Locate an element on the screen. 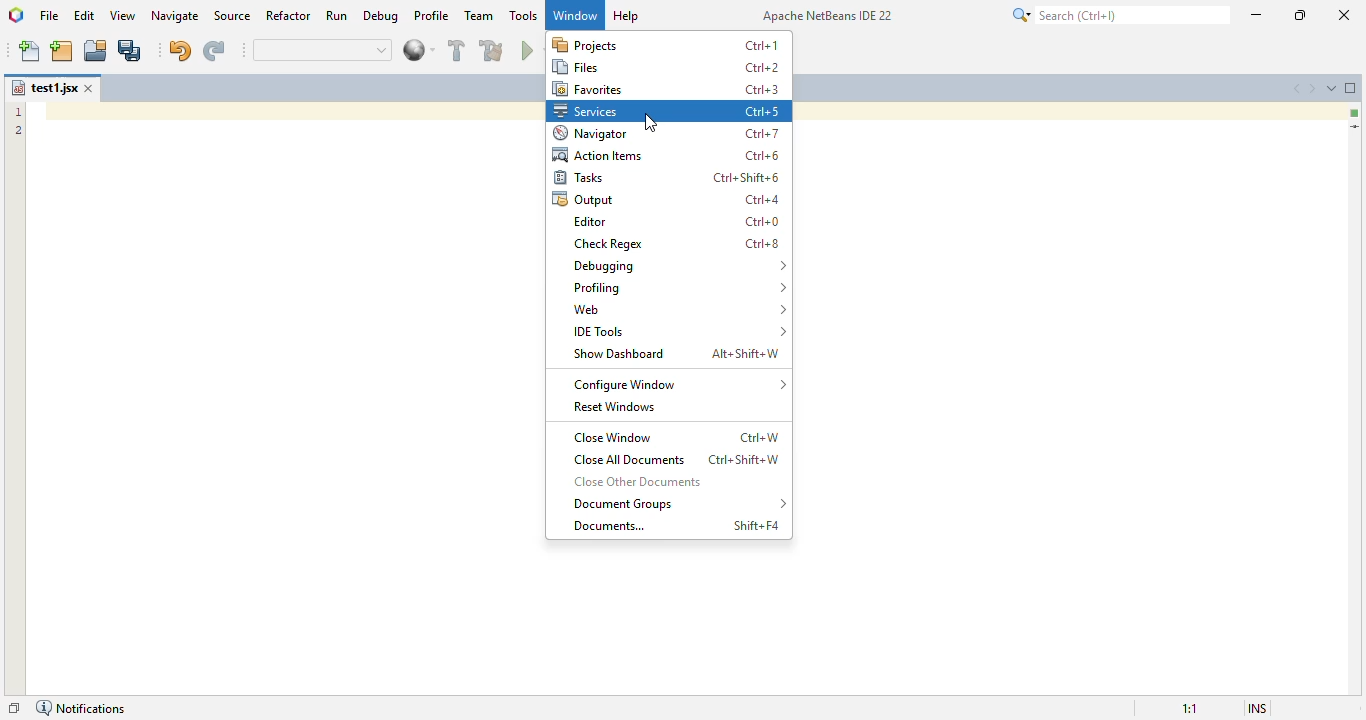  show dashboard is located at coordinates (619, 353).